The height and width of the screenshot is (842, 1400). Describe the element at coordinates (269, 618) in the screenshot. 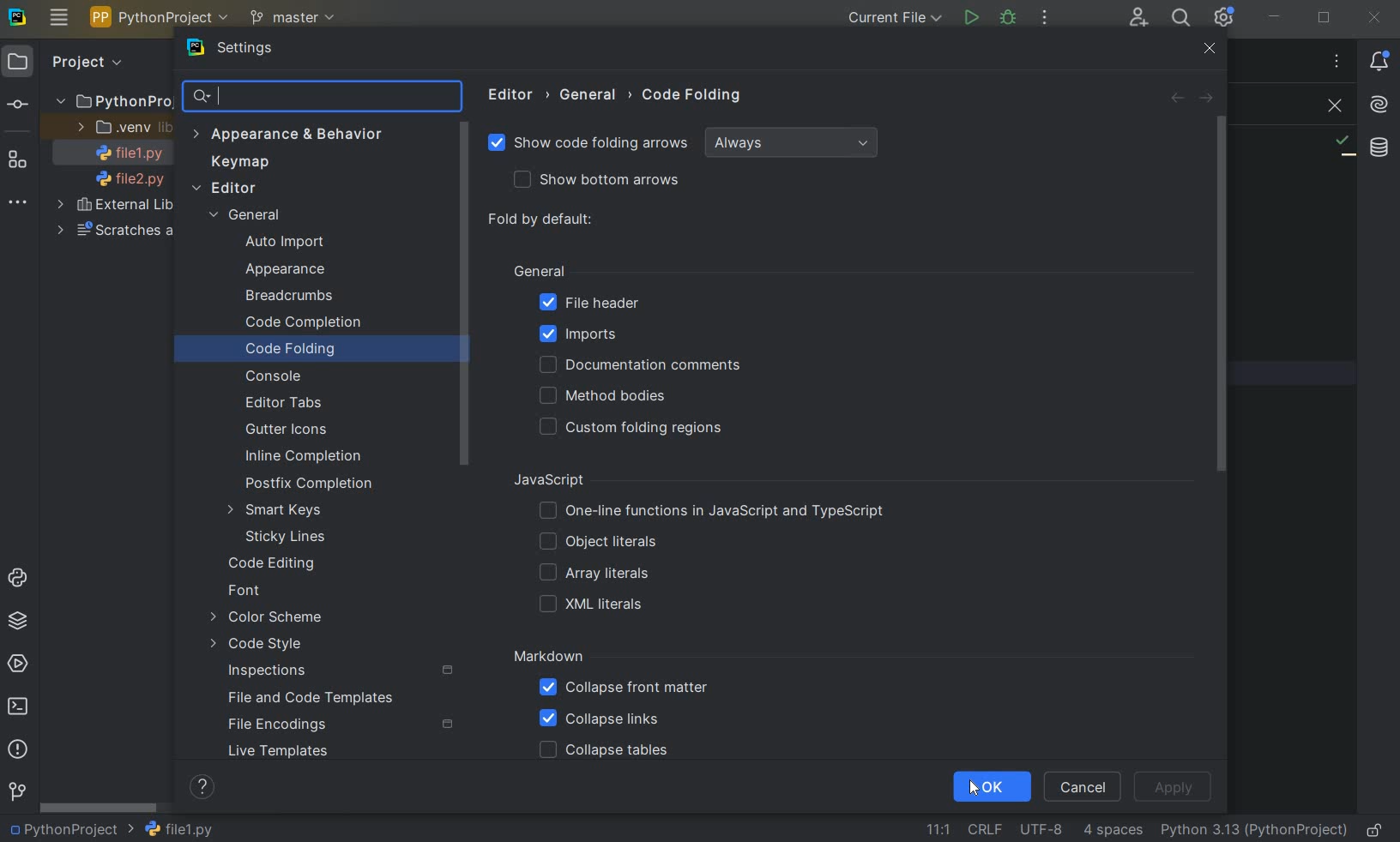

I see `COLOR SCHEME` at that location.